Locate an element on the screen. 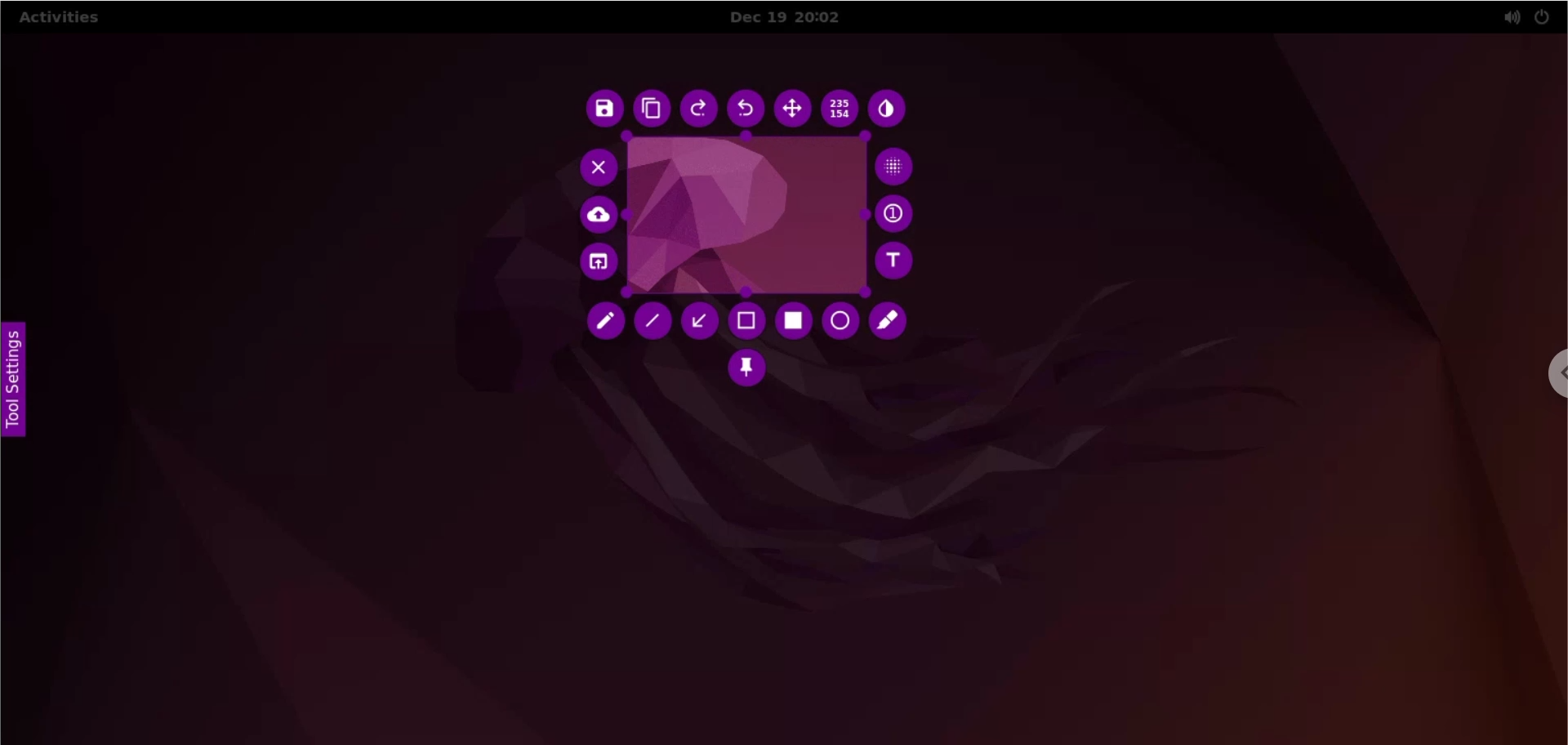  text is located at coordinates (900, 262).